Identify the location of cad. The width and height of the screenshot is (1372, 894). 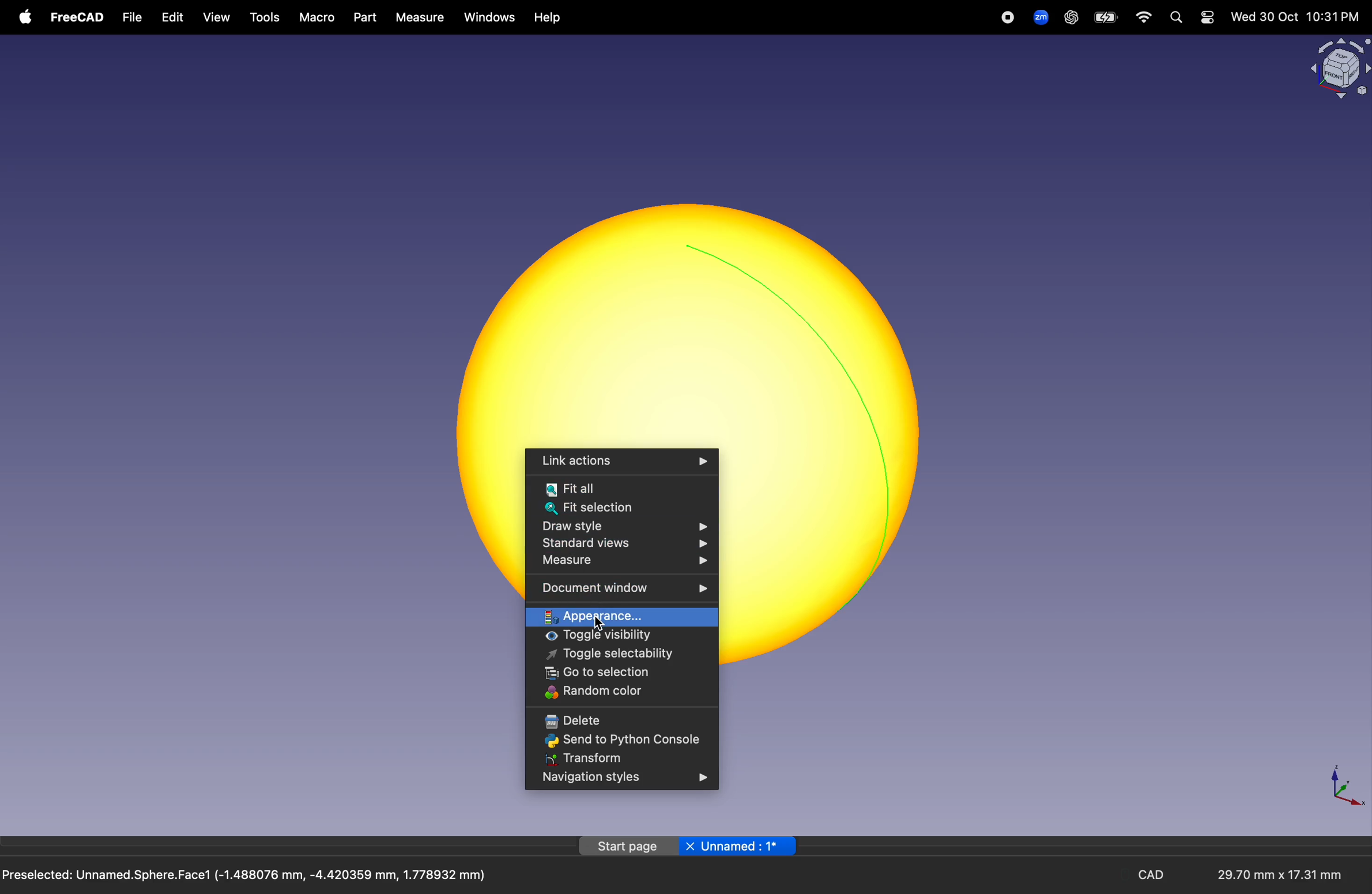
(1155, 875).